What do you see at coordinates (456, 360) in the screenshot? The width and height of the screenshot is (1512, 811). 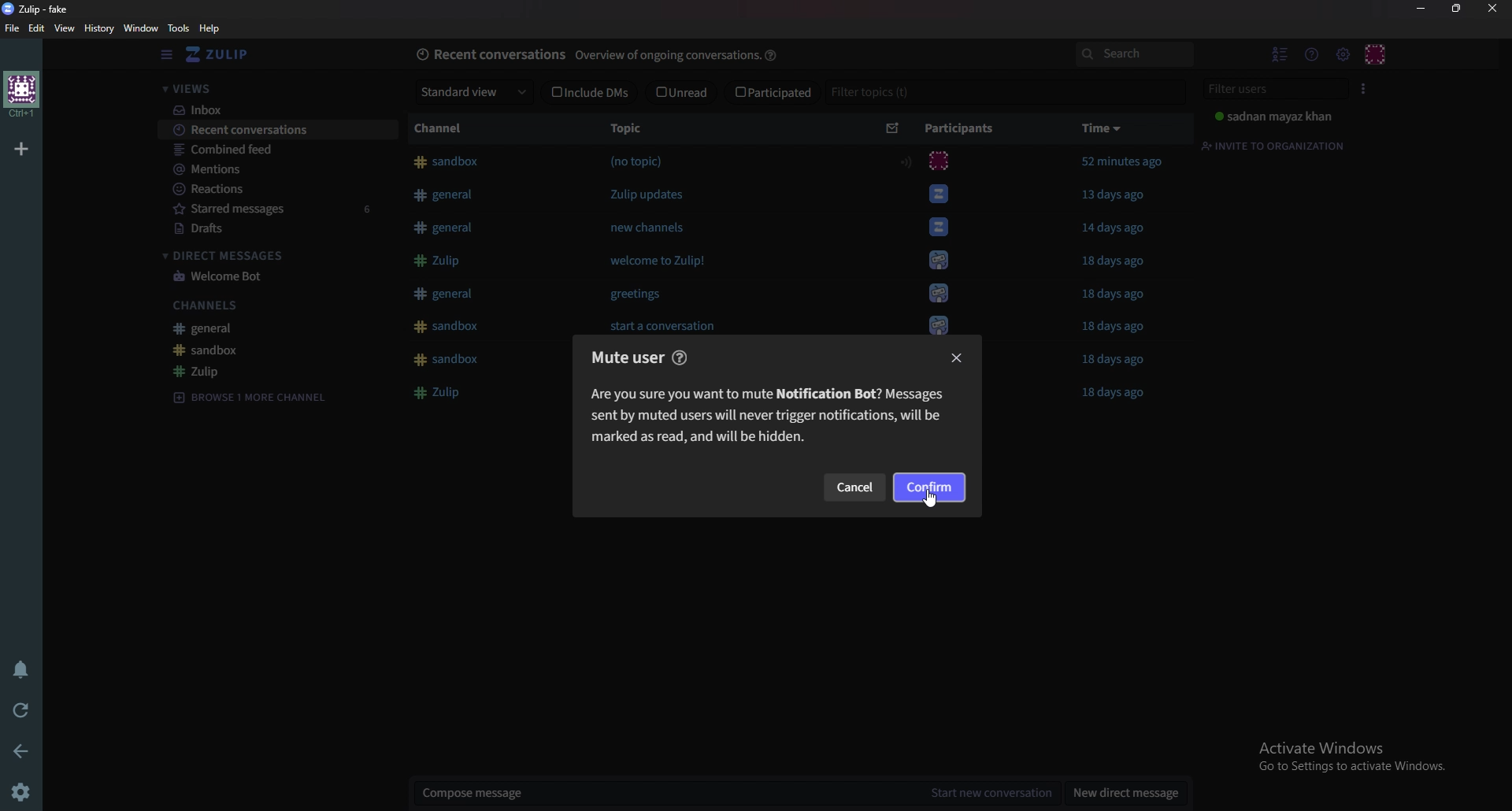 I see `#sandbox` at bounding box center [456, 360].